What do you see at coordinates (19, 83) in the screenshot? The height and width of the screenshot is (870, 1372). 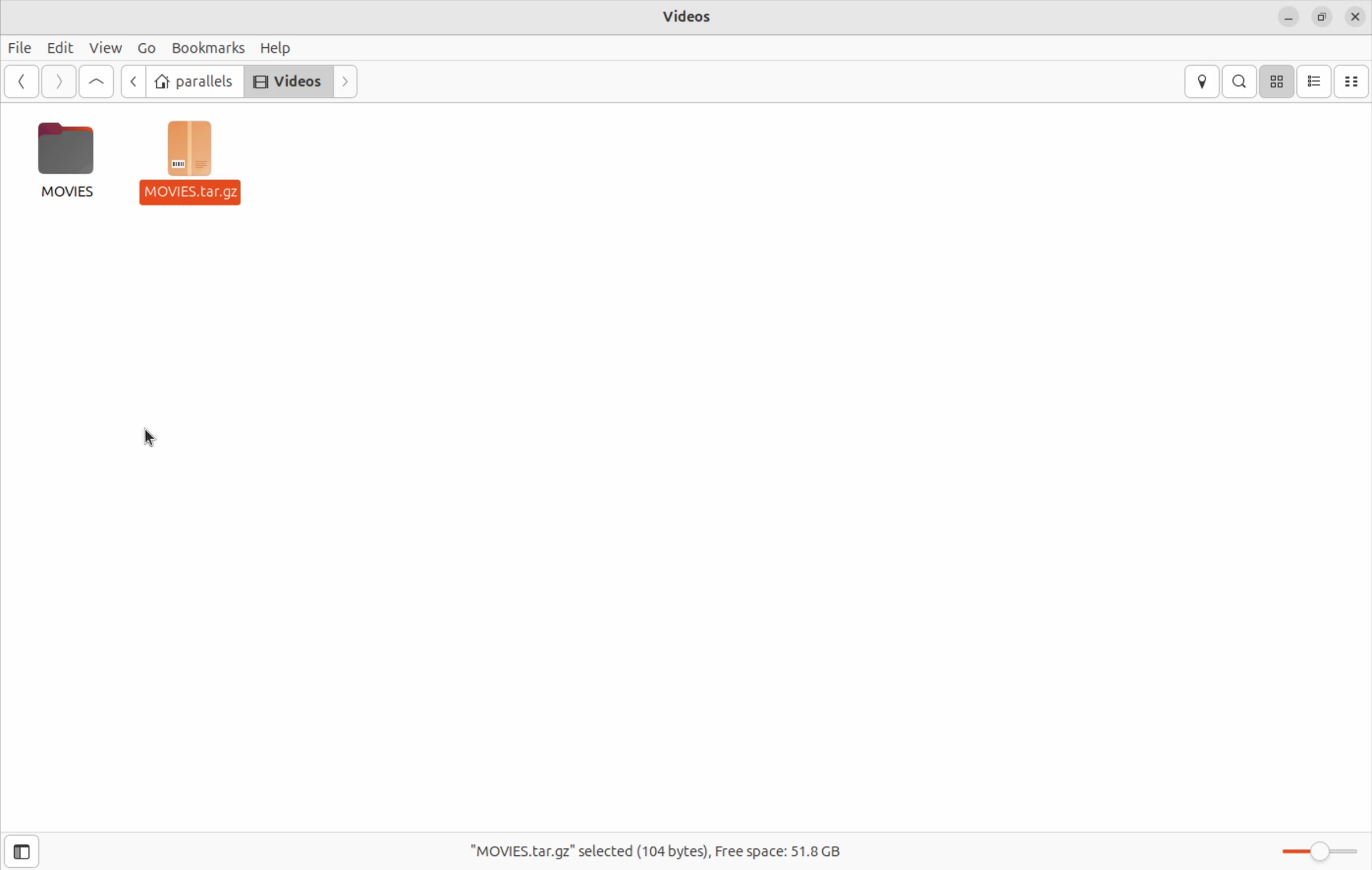 I see `Go back` at bounding box center [19, 83].